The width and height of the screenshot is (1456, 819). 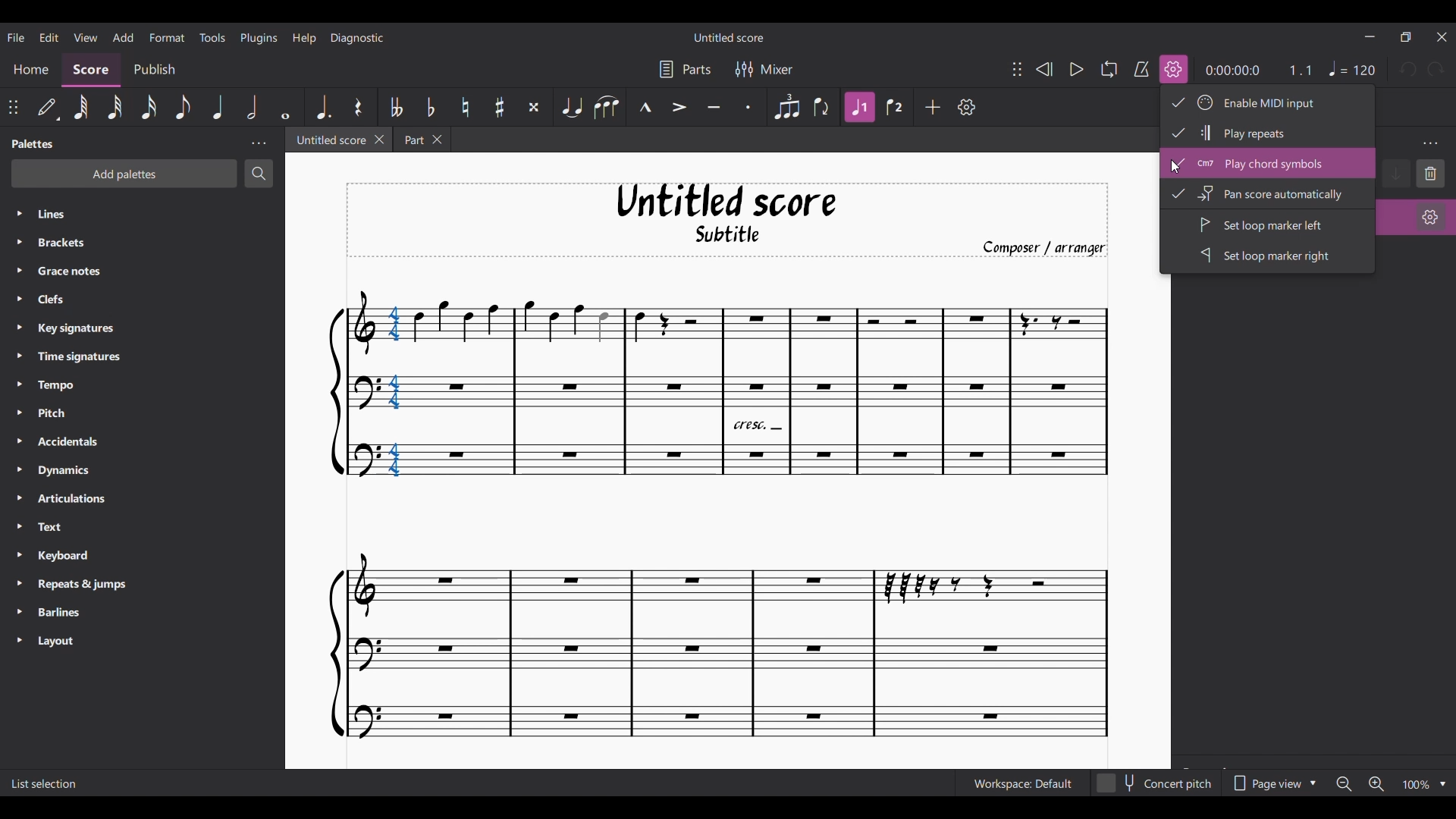 I want to click on Augmentation dot, so click(x=322, y=107).